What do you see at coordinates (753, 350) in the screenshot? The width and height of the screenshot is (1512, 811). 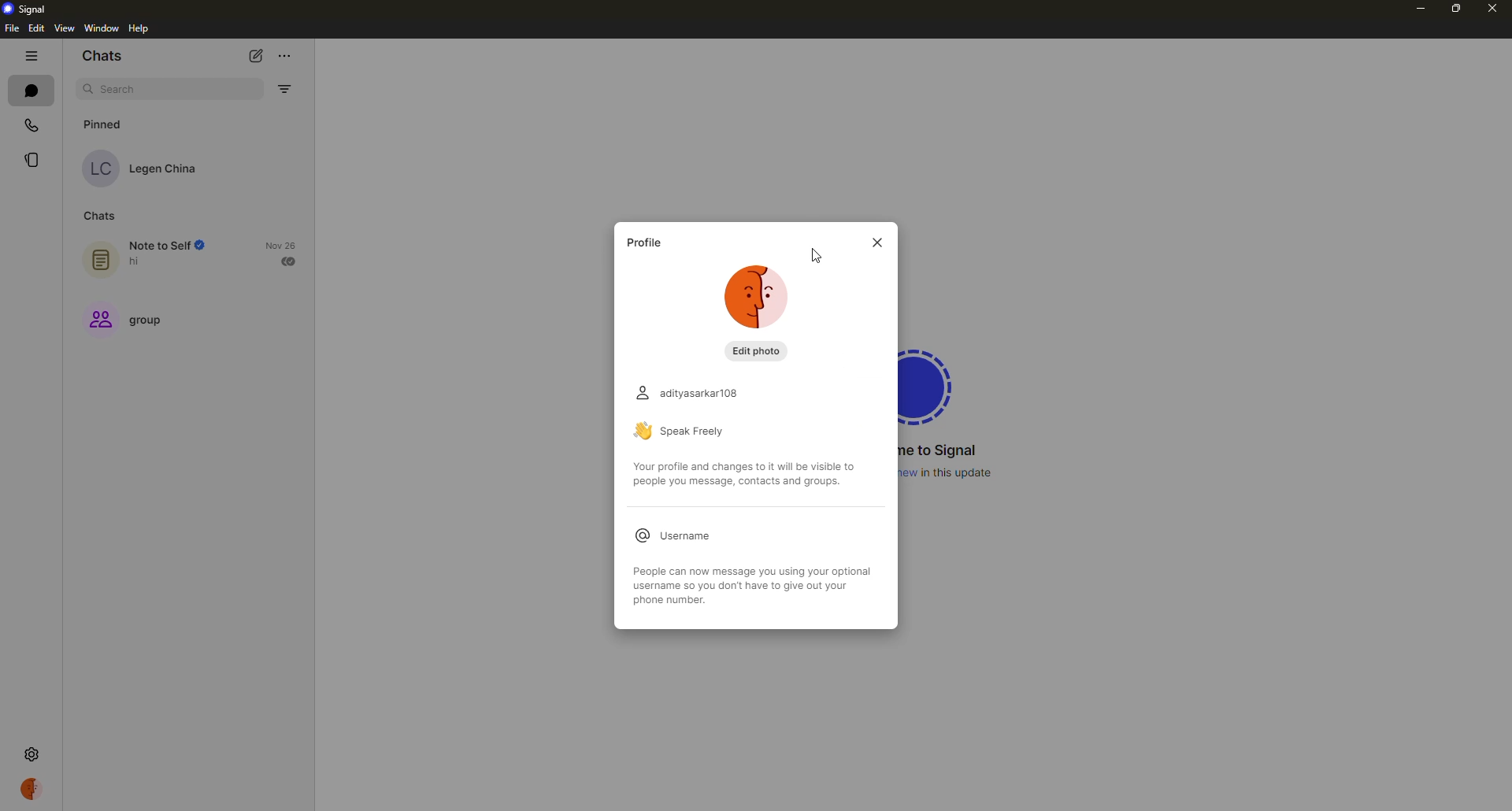 I see `edit photo` at bounding box center [753, 350].